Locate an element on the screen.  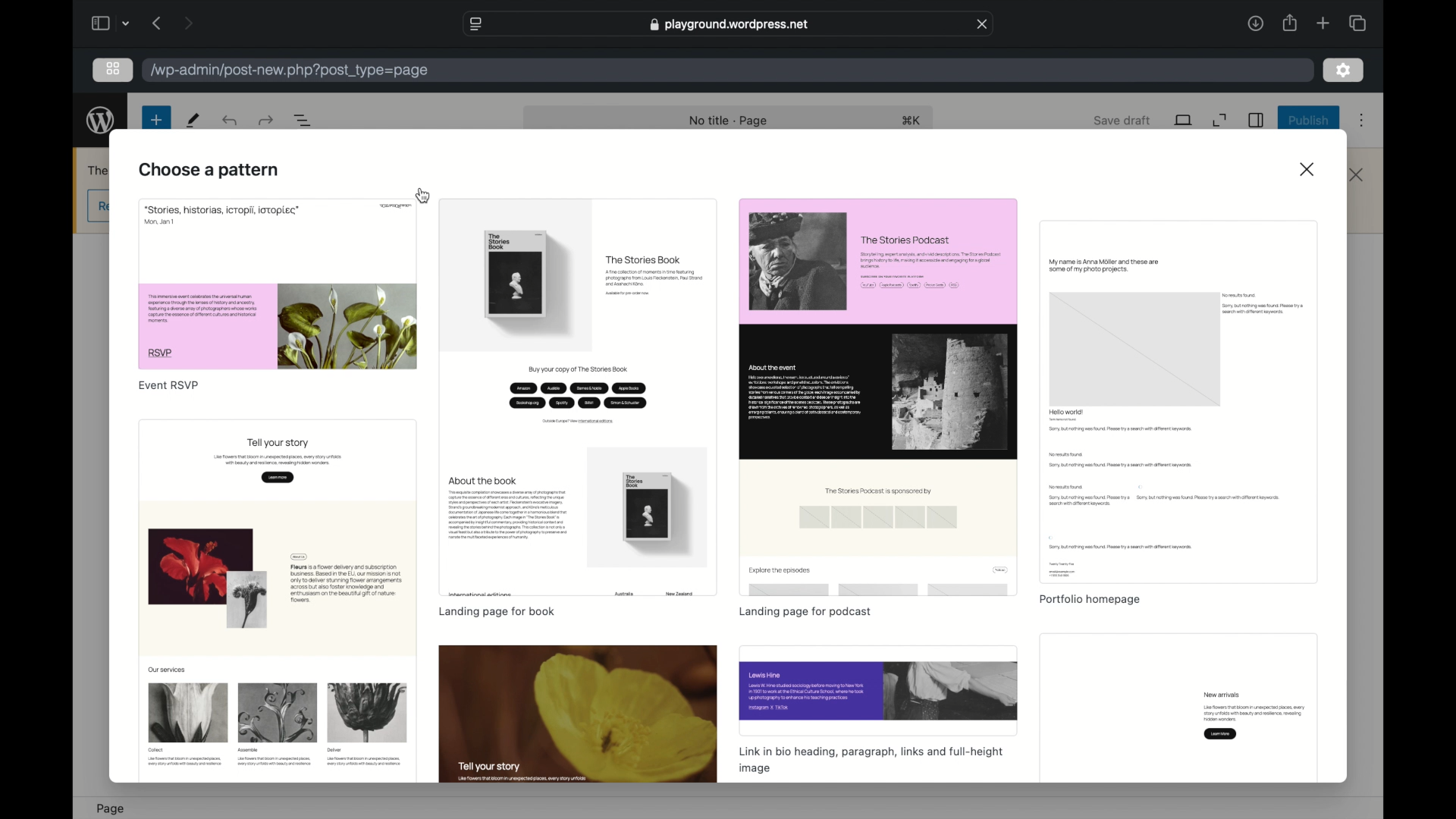
landing page for podcast is located at coordinates (805, 611).